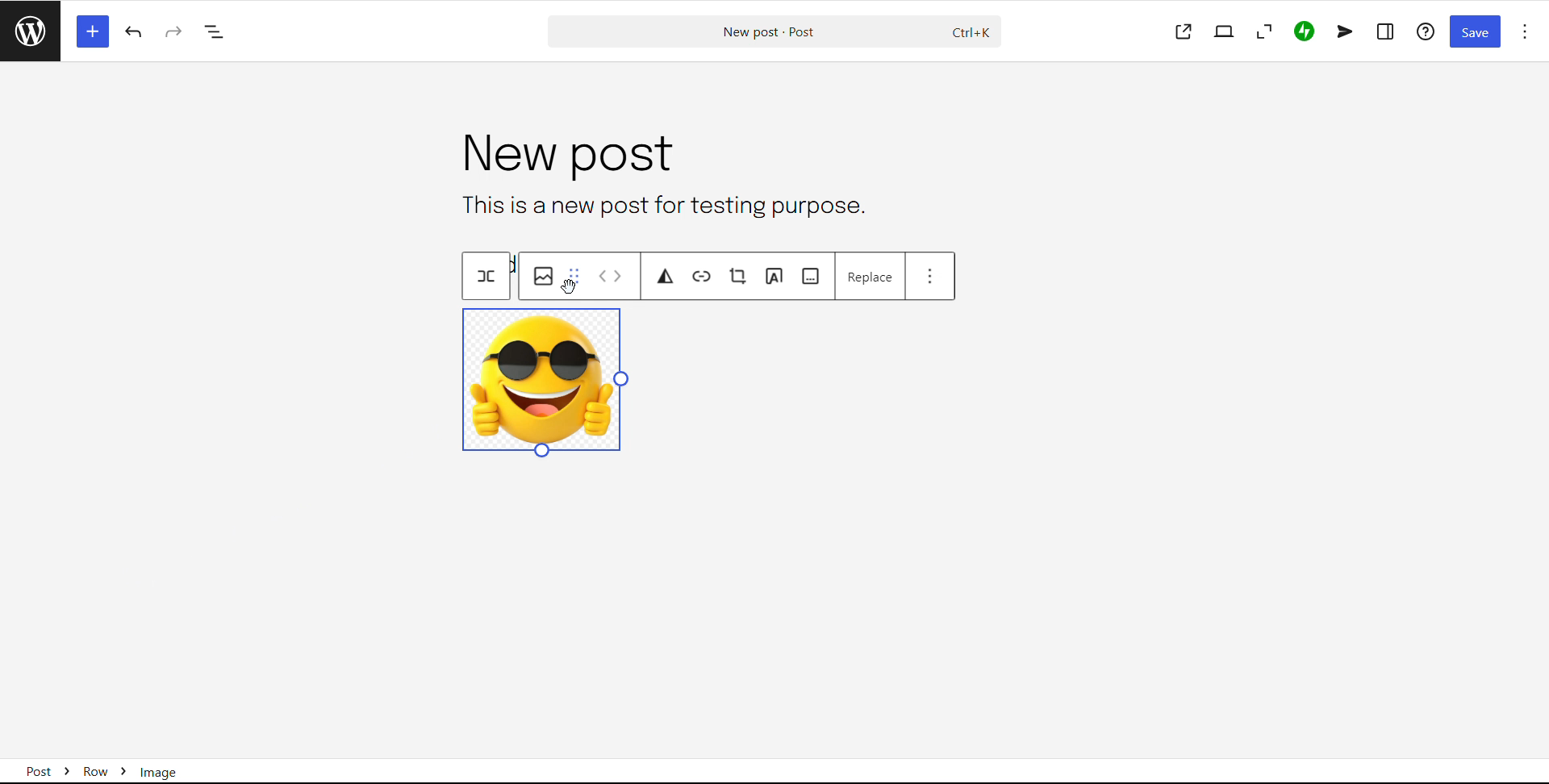  Describe the element at coordinates (1345, 31) in the screenshot. I see `newsletter` at that location.